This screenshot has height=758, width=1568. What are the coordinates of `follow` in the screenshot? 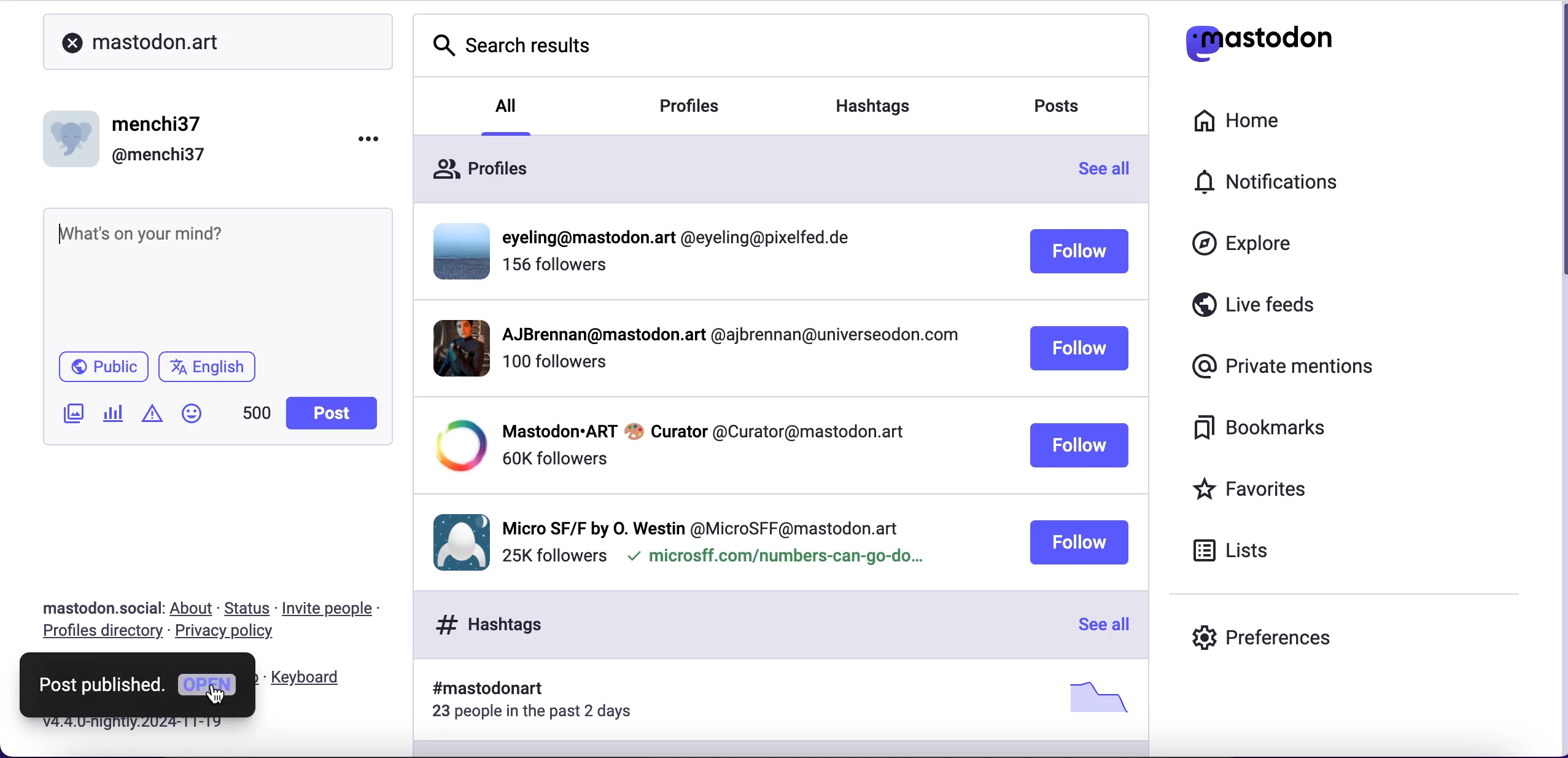 It's located at (1082, 445).